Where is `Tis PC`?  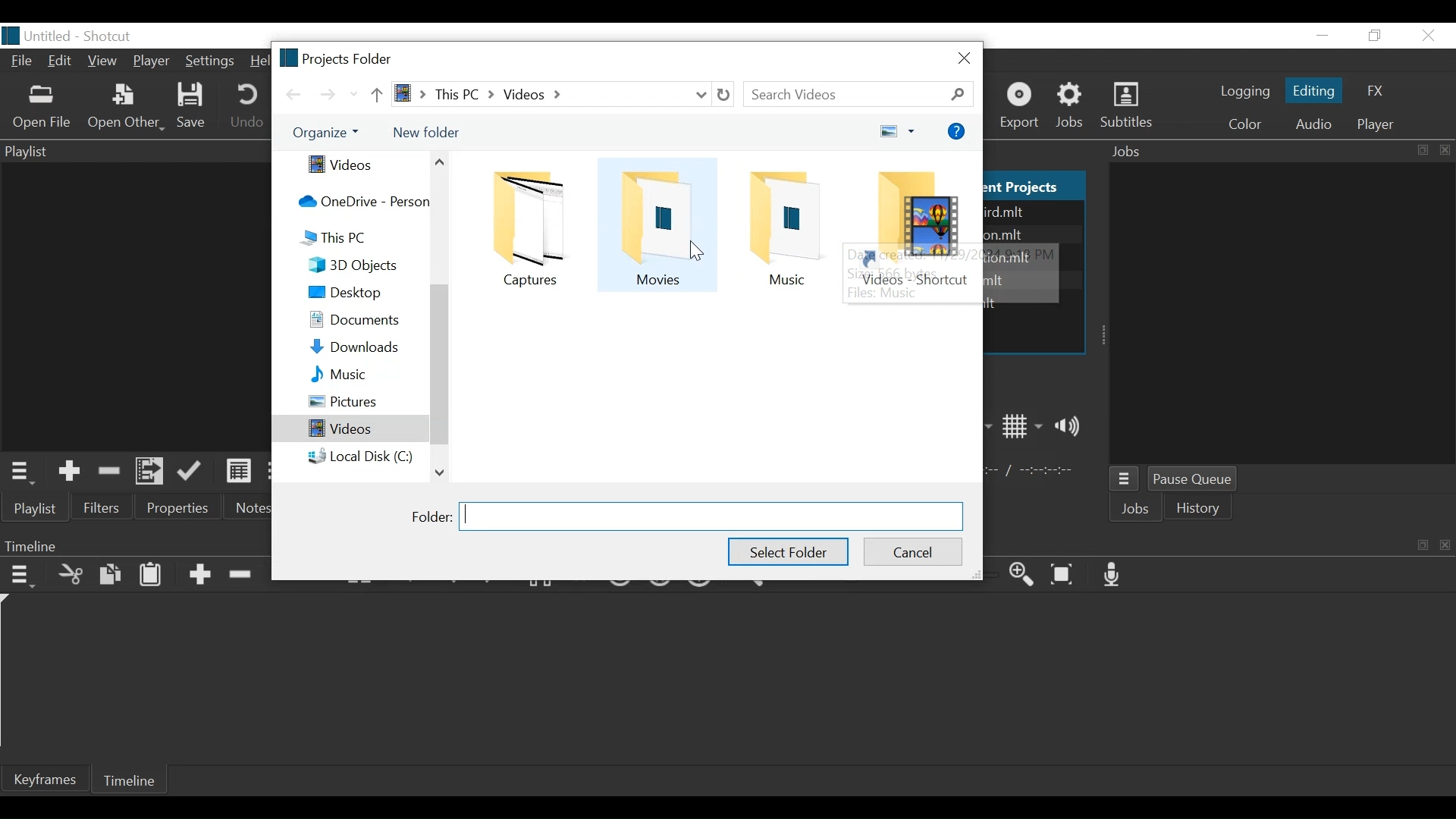
Tis PC is located at coordinates (358, 238).